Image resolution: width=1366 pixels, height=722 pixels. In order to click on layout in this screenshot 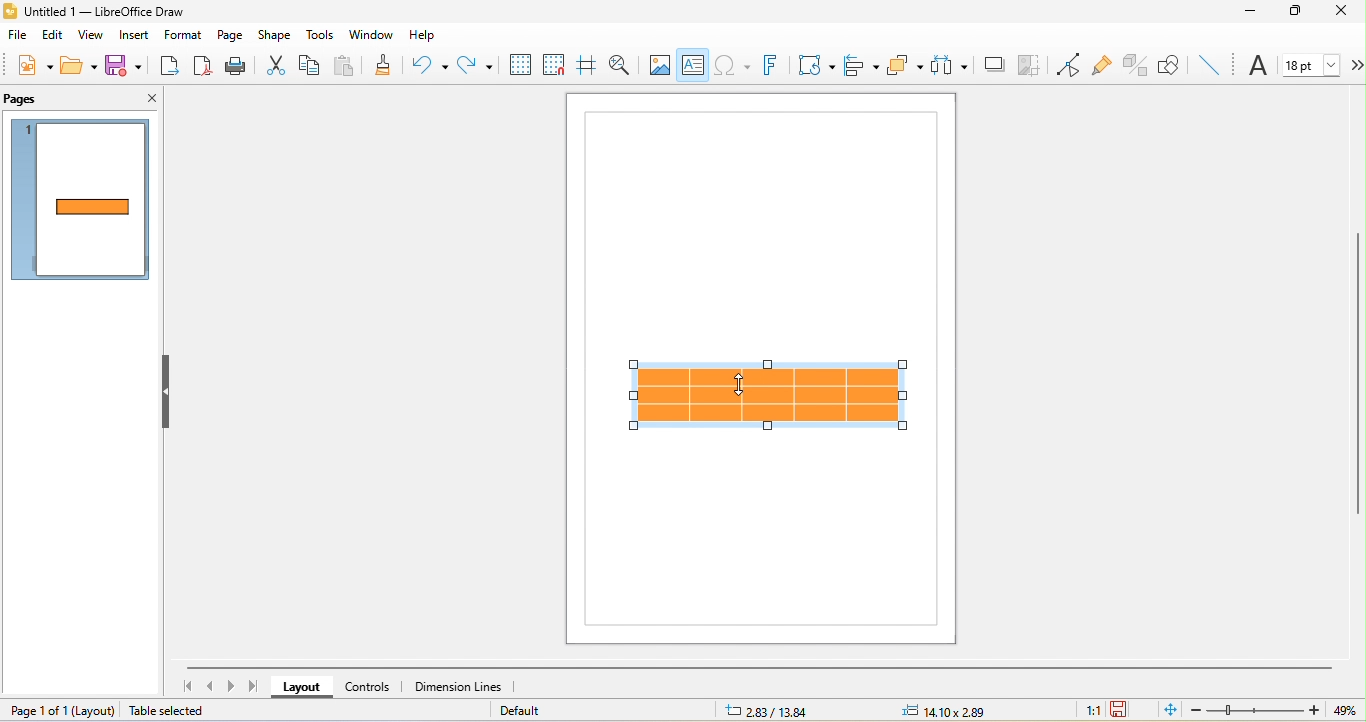, I will do `click(93, 711)`.